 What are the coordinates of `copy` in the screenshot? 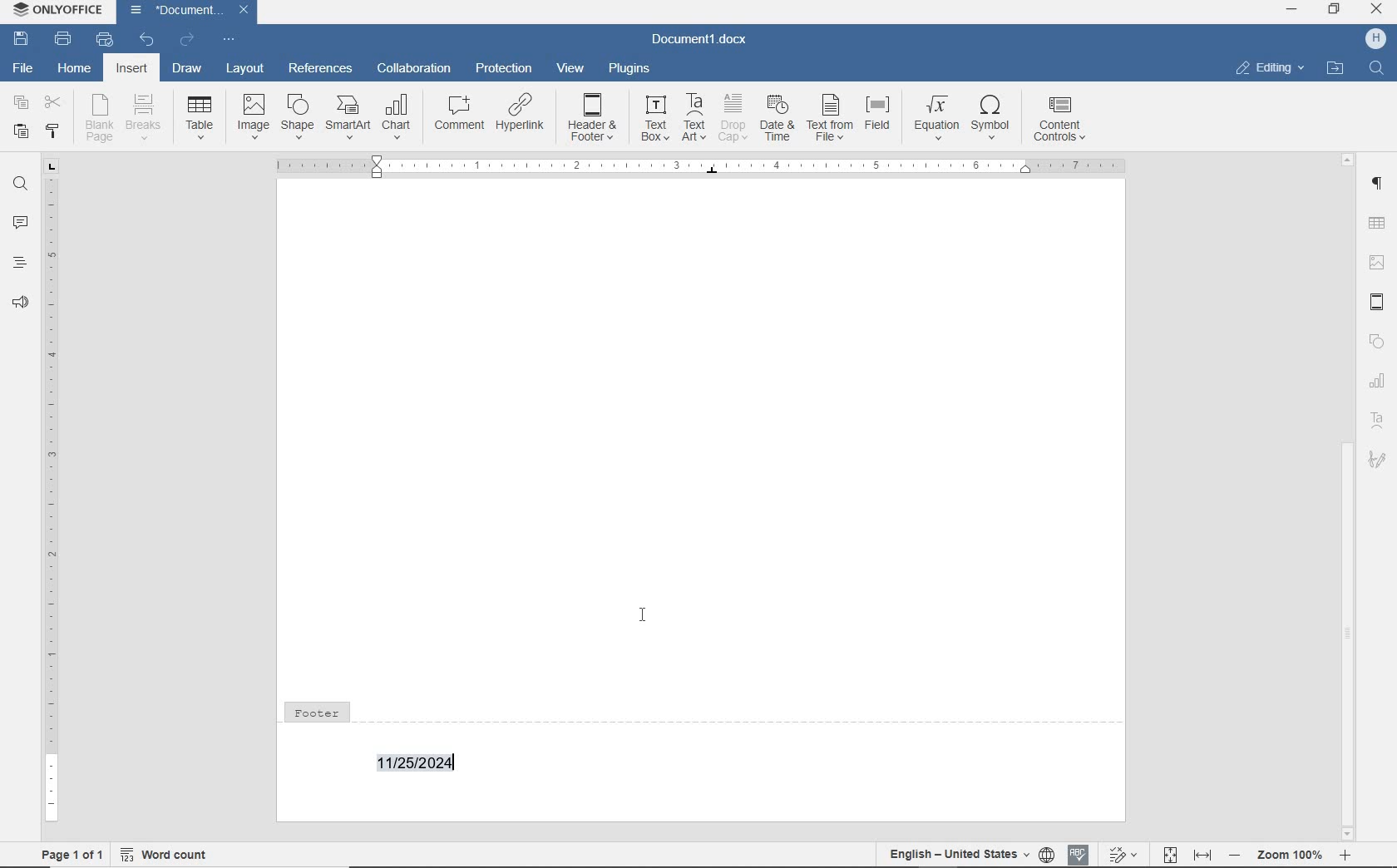 It's located at (22, 102).